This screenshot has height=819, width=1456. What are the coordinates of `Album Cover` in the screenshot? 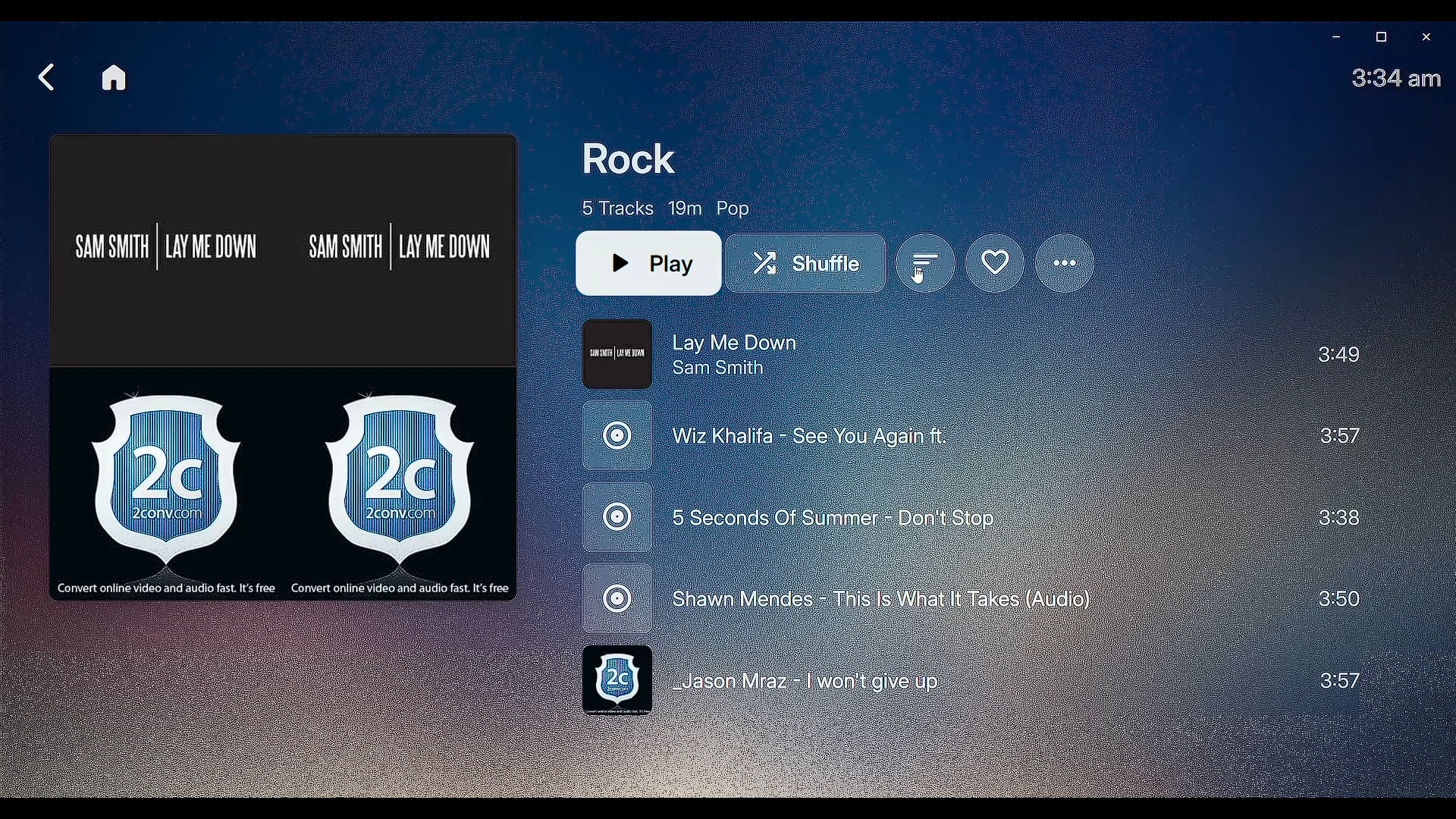 It's located at (284, 366).